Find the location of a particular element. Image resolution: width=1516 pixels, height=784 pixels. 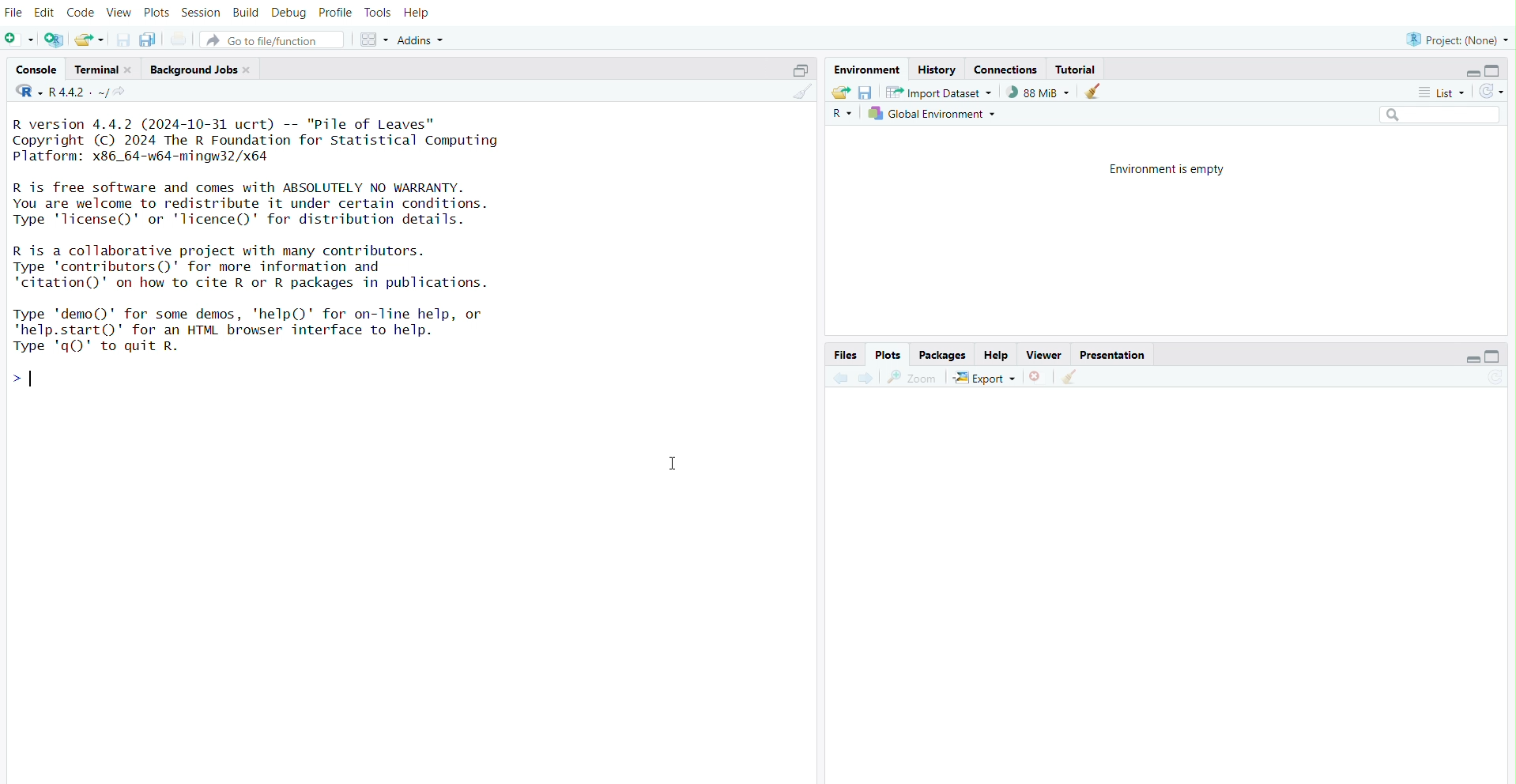

edit is located at coordinates (45, 10).